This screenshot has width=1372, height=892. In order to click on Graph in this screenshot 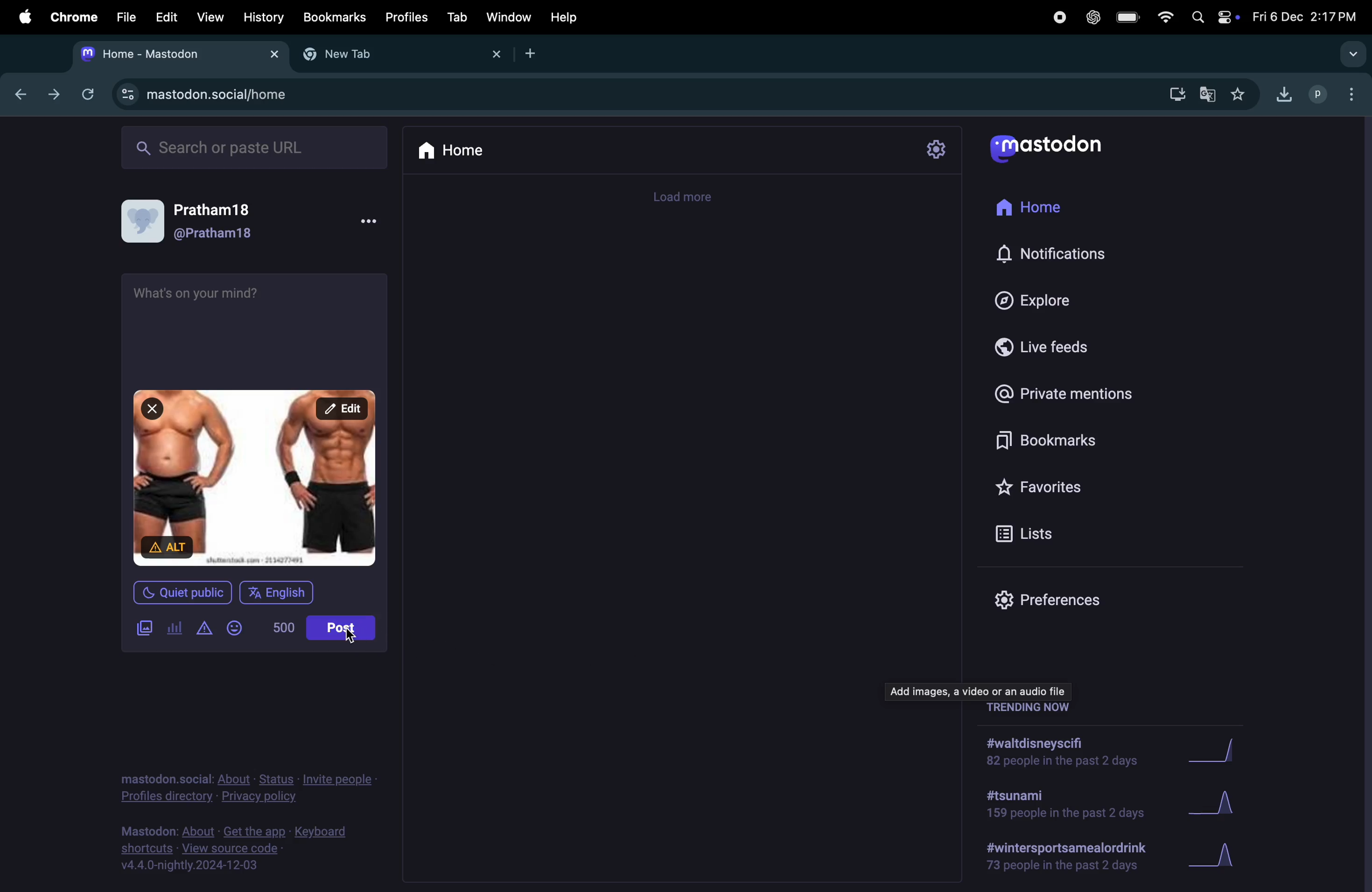, I will do `click(1228, 749)`.